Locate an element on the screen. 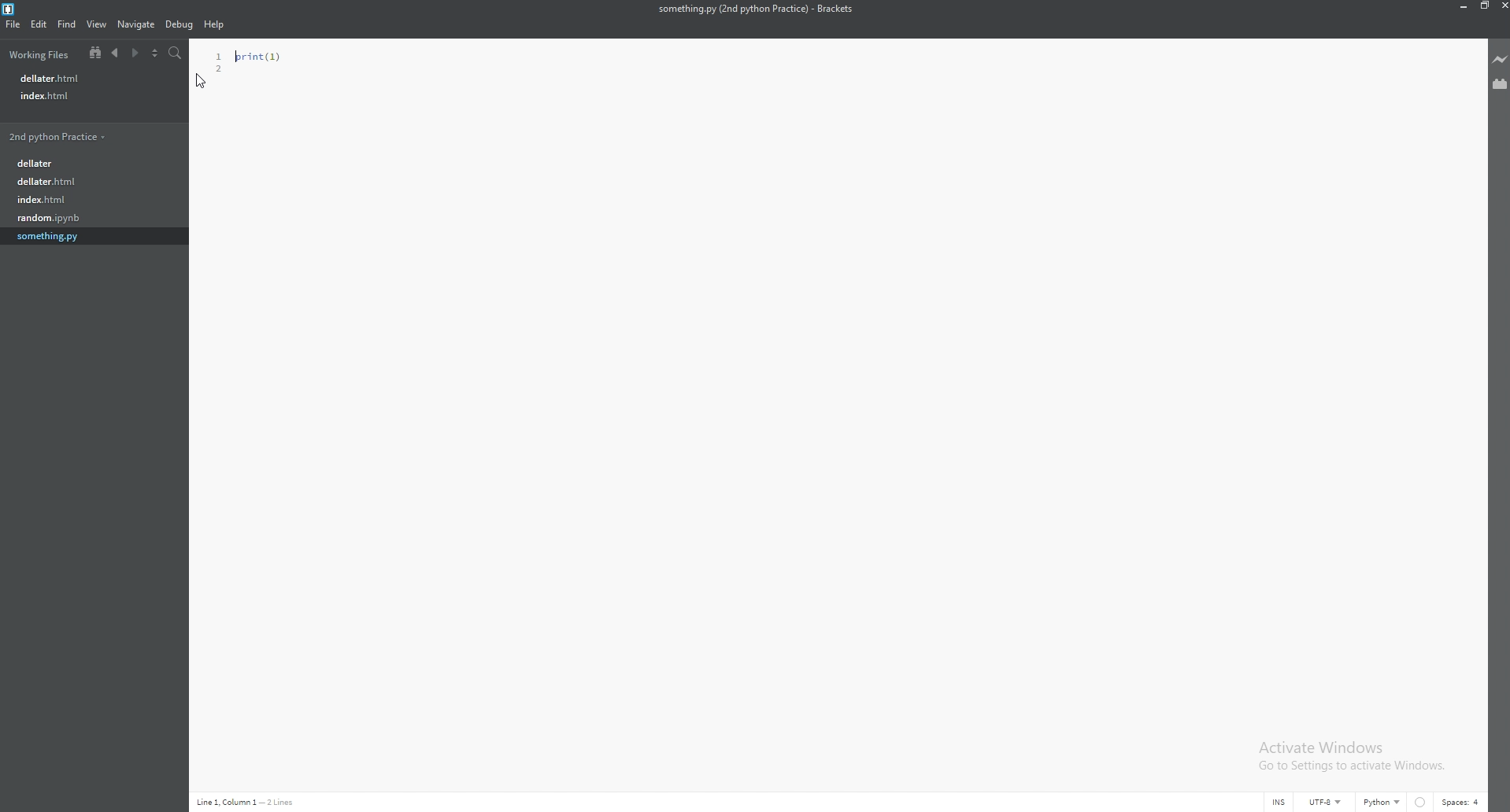 The image size is (1510, 812). file is located at coordinates (72, 185).